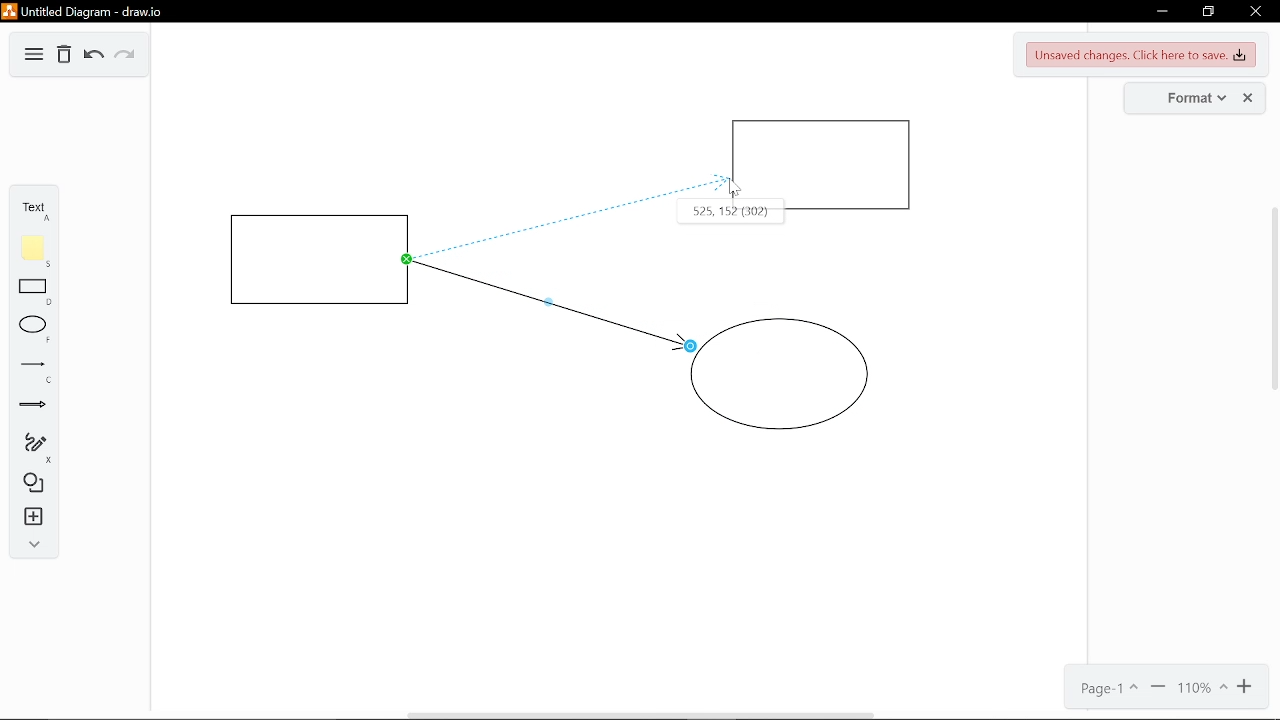 This screenshot has height=720, width=1280. What do you see at coordinates (734, 188) in the screenshot?
I see `Pointer` at bounding box center [734, 188].